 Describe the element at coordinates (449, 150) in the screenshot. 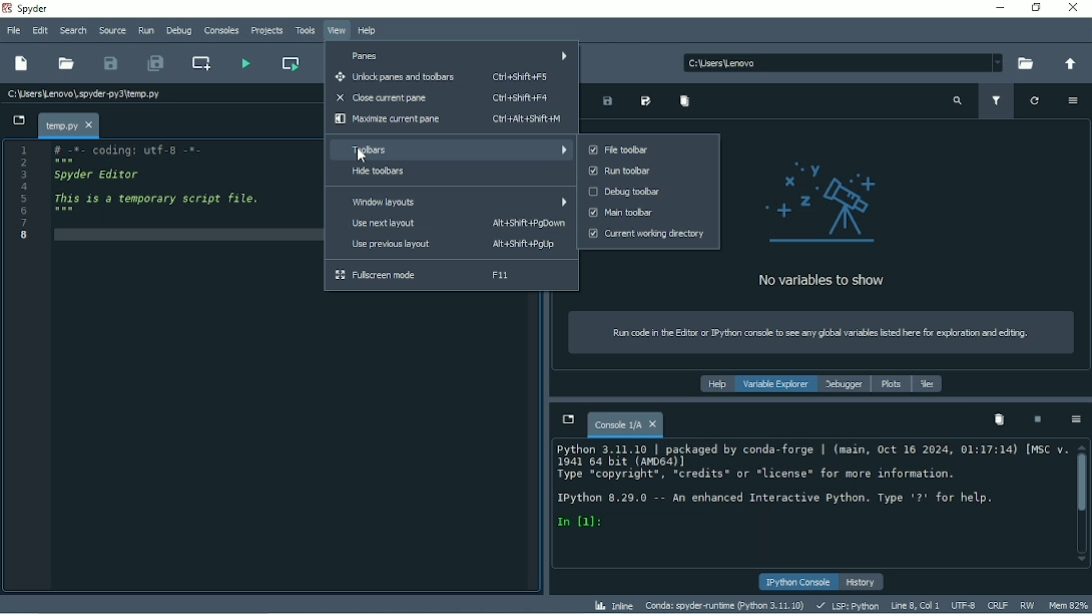

I see `Toolbars` at that location.